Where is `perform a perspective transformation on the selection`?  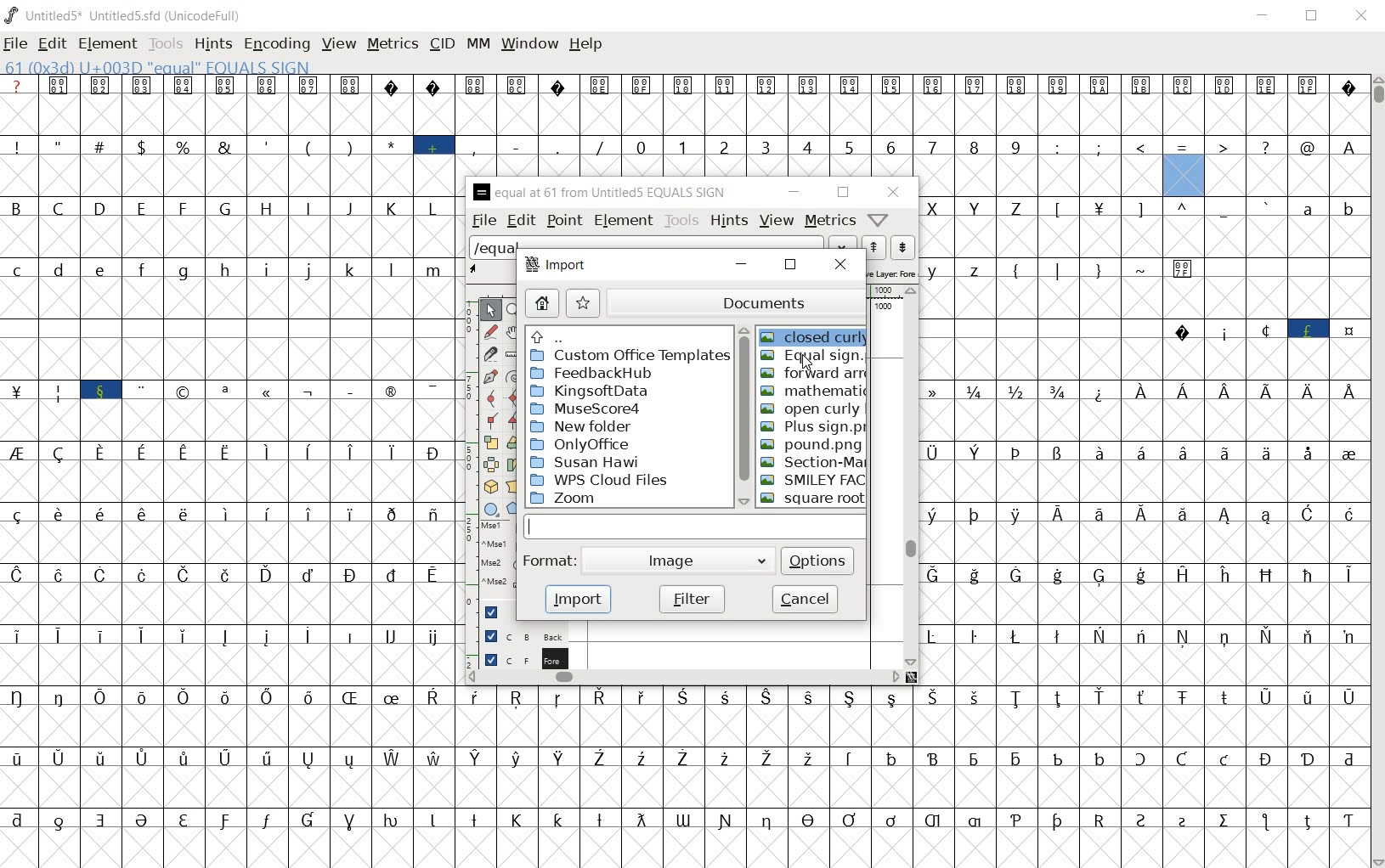 perform a perspective transformation on the selection is located at coordinates (512, 486).